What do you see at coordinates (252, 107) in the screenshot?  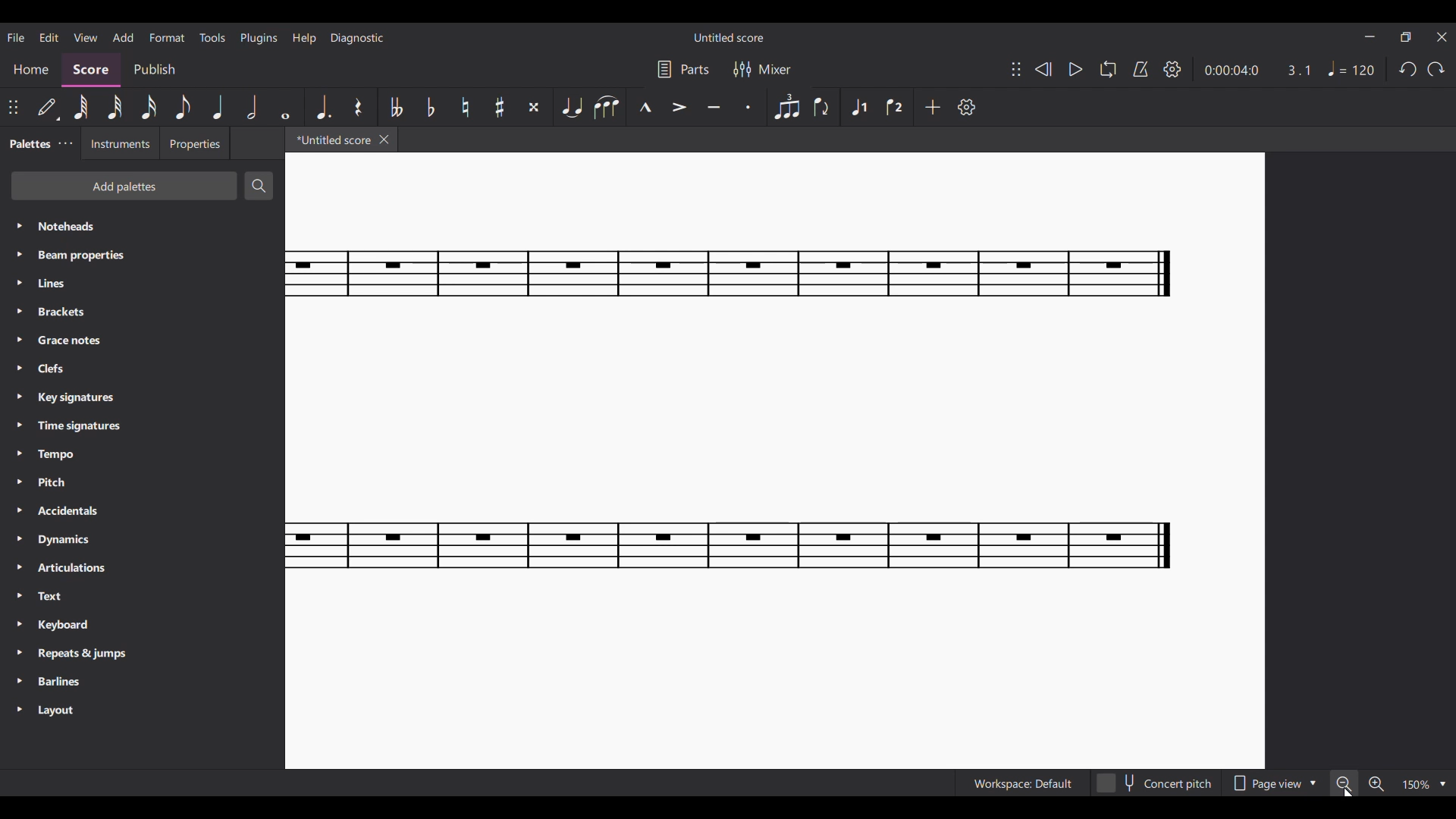 I see `Half note` at bounding box center [252, 107].